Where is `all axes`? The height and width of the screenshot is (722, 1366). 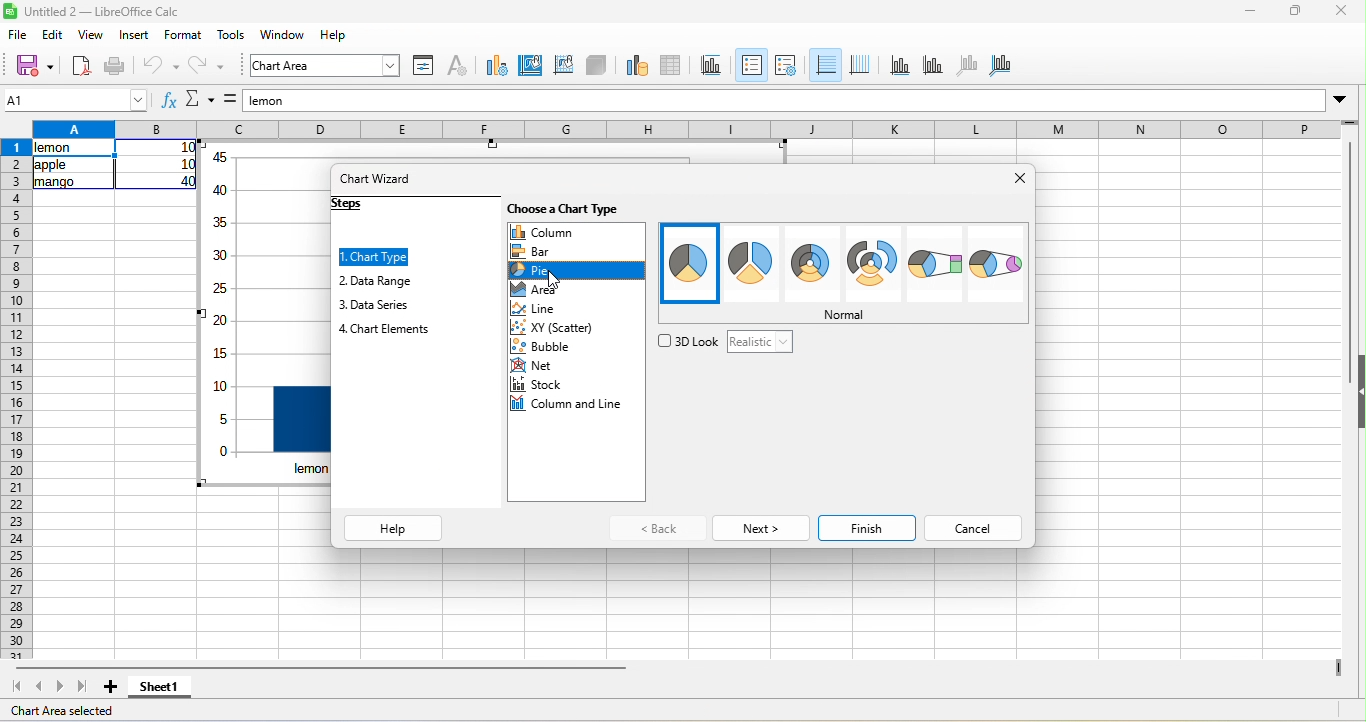
all axes is located at coordinates (1004, 67).